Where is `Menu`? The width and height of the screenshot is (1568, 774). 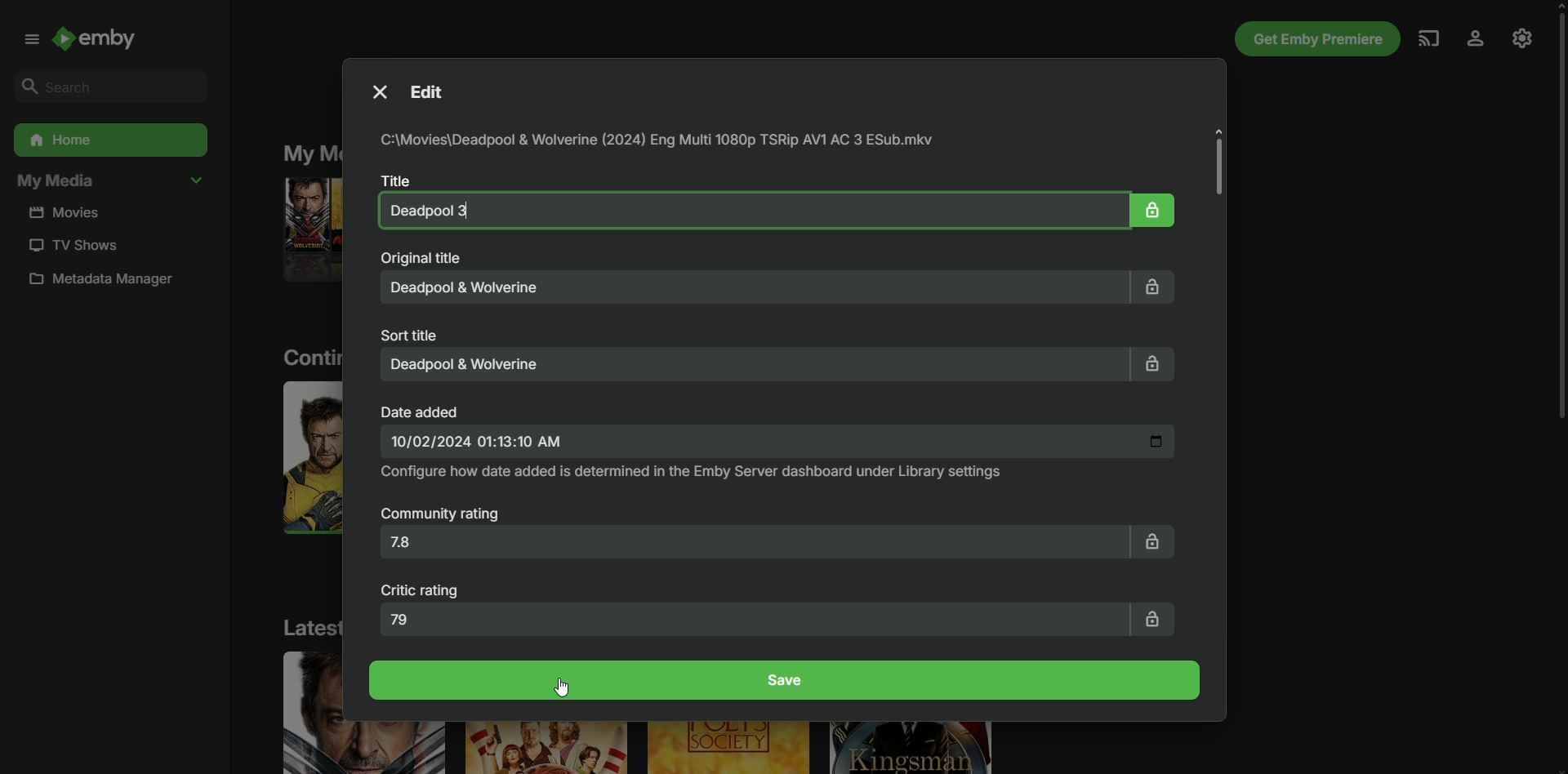 Menu is located at coordinates (28, 39).